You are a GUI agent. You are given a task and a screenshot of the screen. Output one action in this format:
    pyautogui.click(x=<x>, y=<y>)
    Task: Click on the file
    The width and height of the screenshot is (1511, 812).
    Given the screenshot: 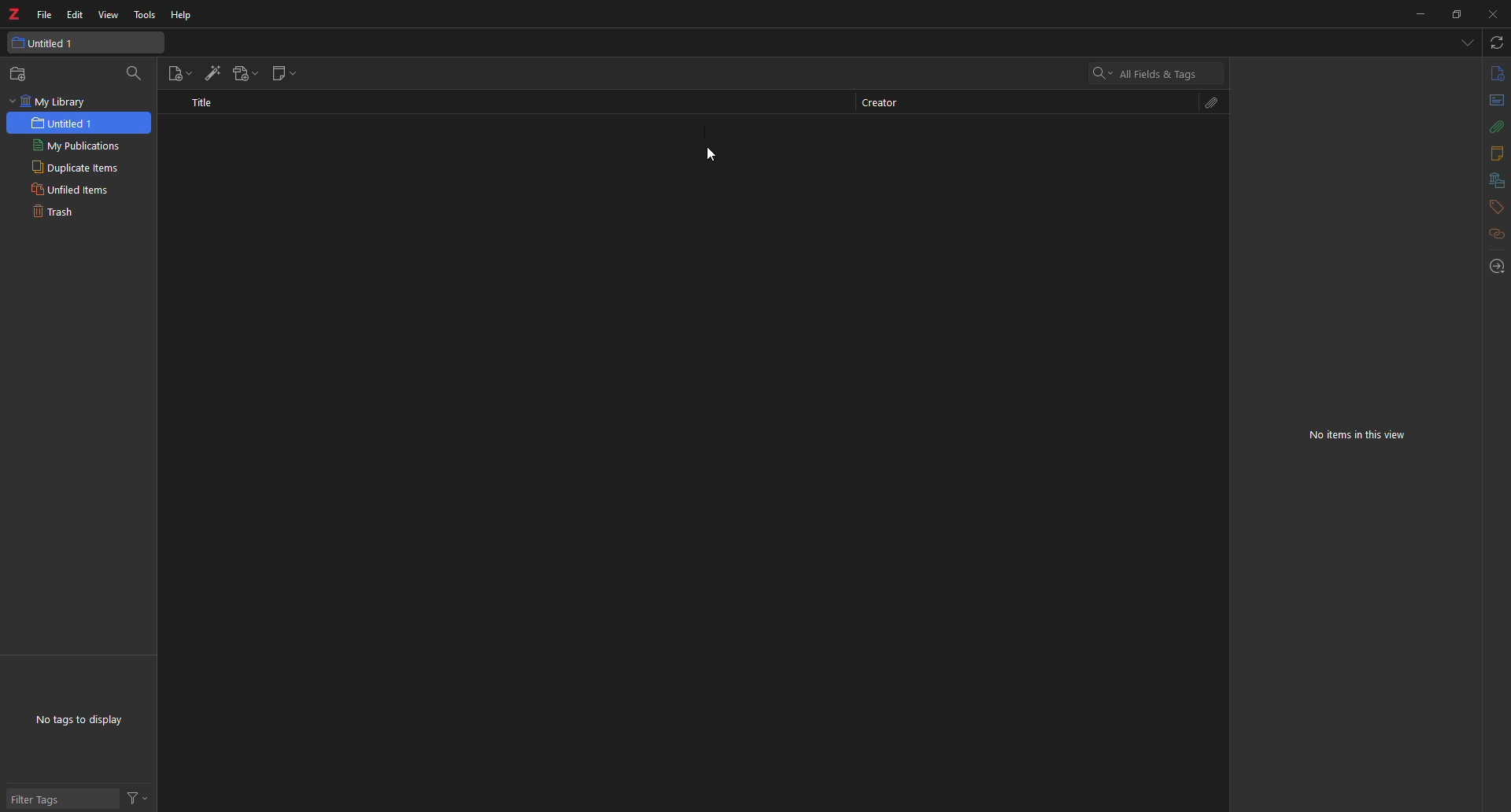 What is the action you would take?
    pyautogui.click(x=45, y=15)
    